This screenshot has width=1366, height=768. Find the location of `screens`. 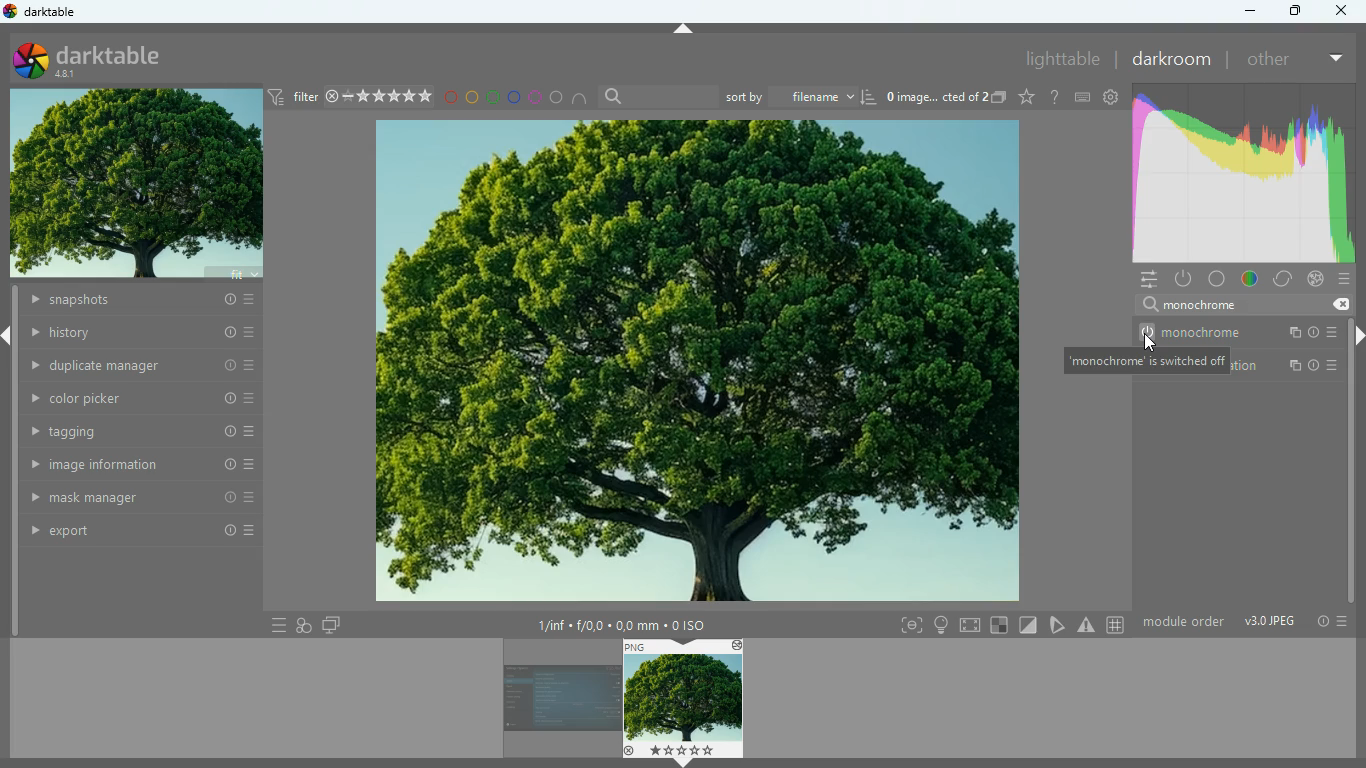

screens is located at coordinates (331, 624).